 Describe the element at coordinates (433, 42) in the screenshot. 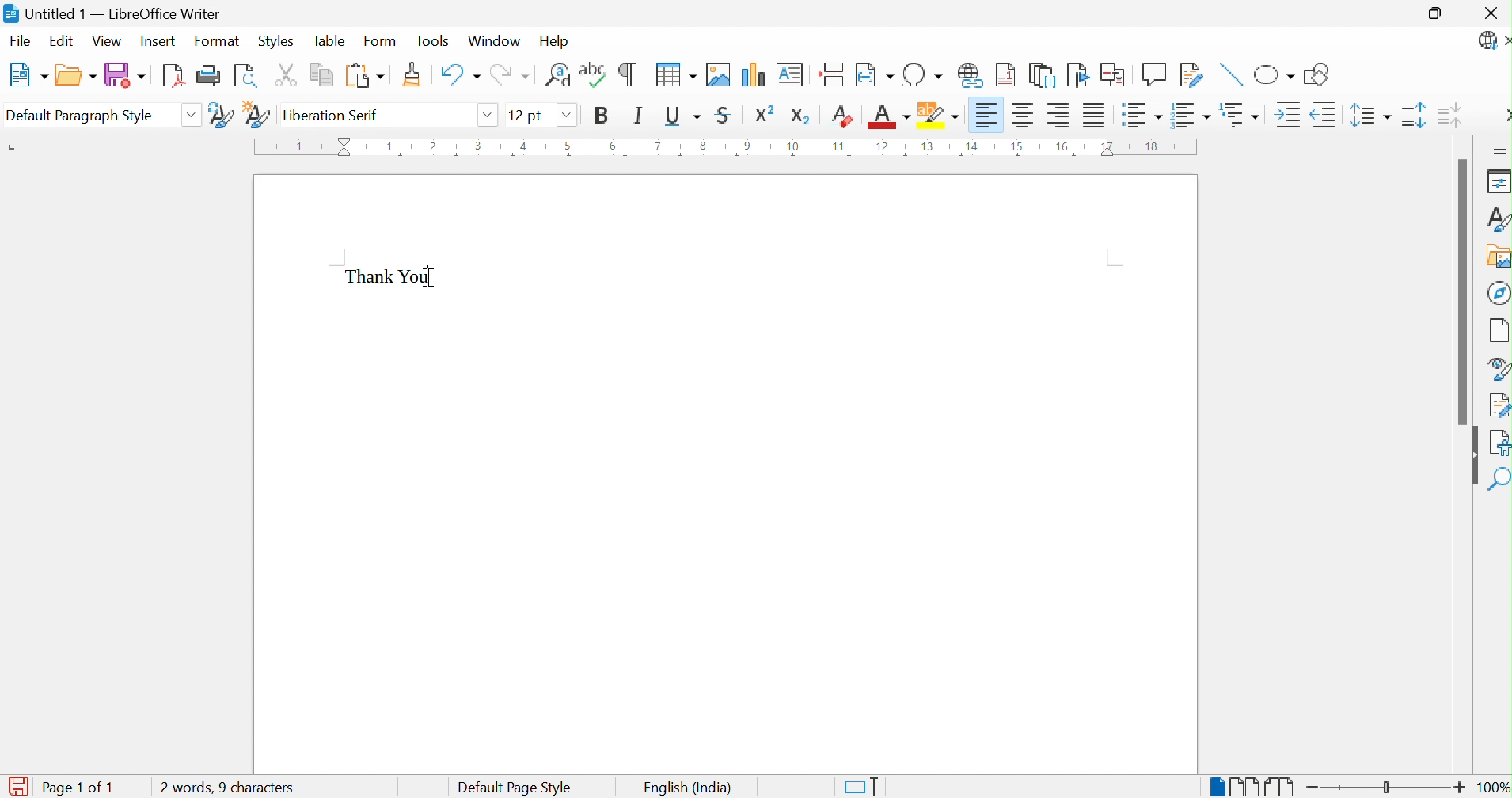

I see `Tools` at that location.